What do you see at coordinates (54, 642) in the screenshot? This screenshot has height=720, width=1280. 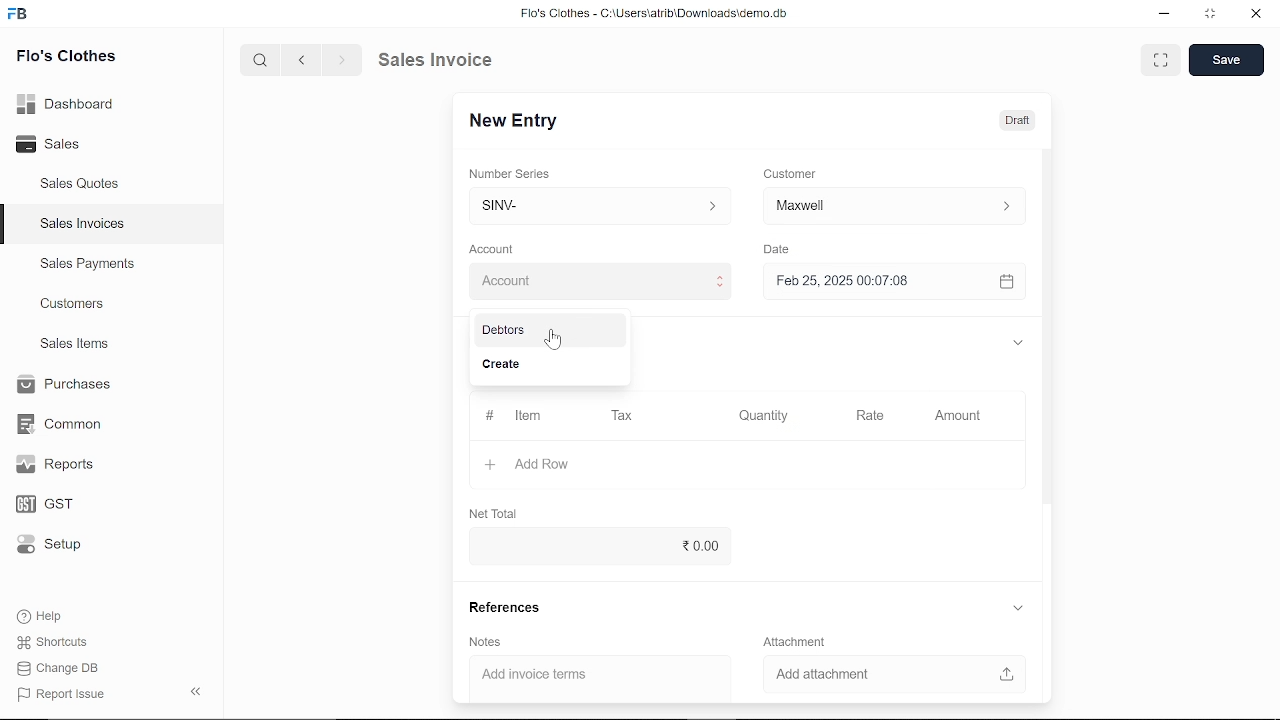 I see `Shortcuts` at bounding box center [54, 642].